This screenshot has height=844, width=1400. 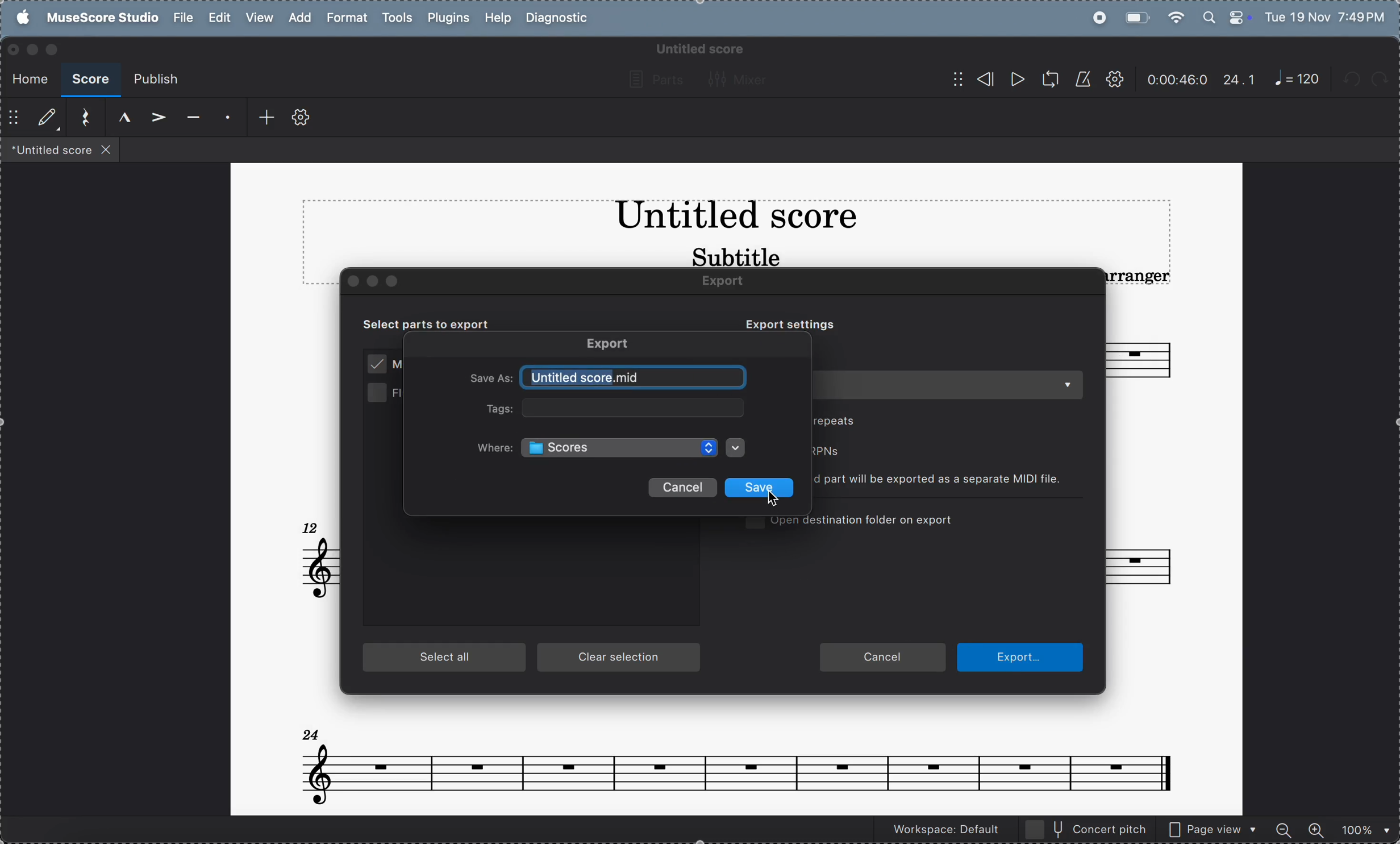 What do you see at coordinates (61, 149) in the screenshot?
I see `files` at bounding box center [61, 149].